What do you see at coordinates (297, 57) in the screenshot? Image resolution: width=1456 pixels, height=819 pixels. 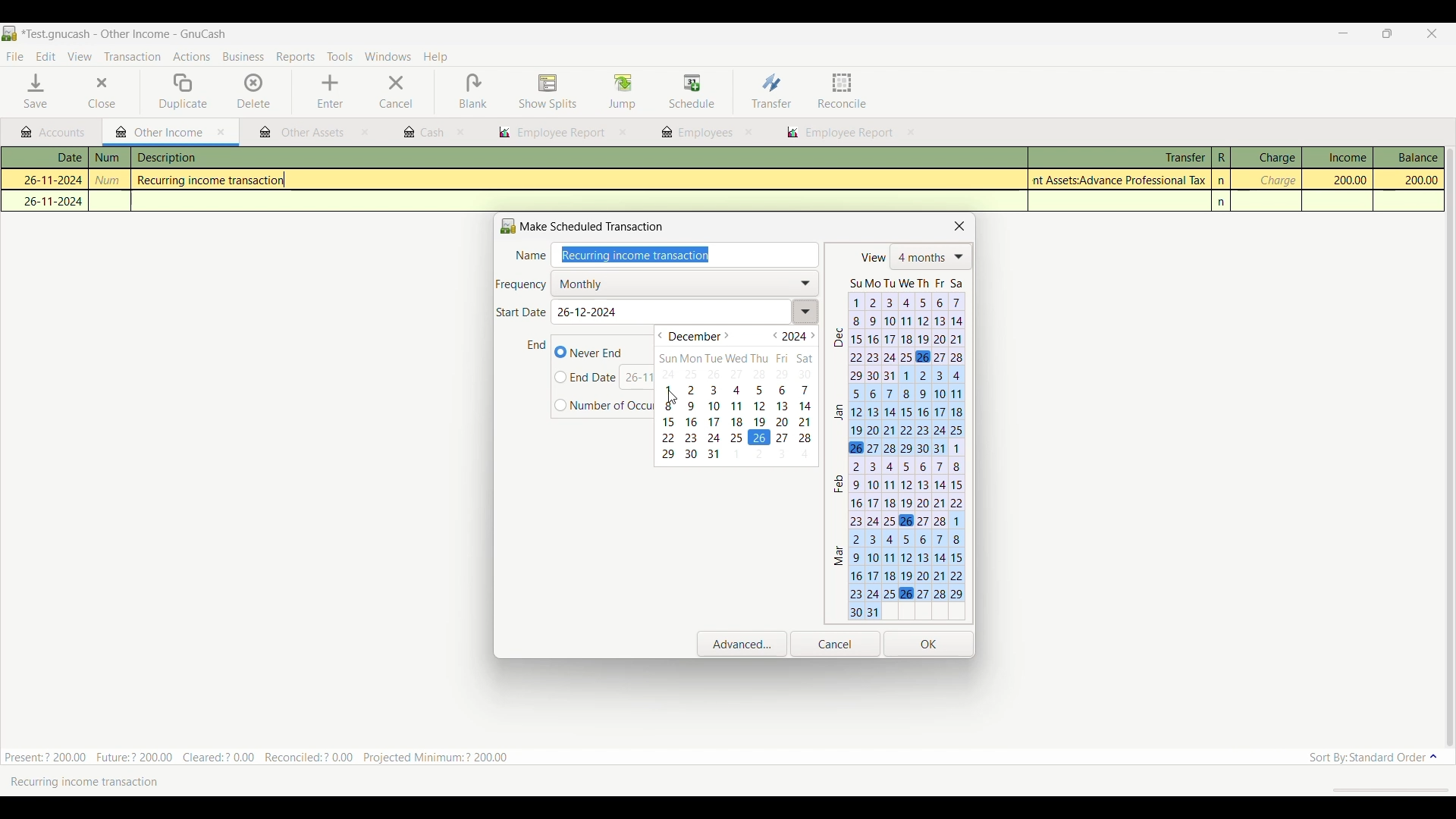 I see `Reports menu` at bounding box center [297, 57].